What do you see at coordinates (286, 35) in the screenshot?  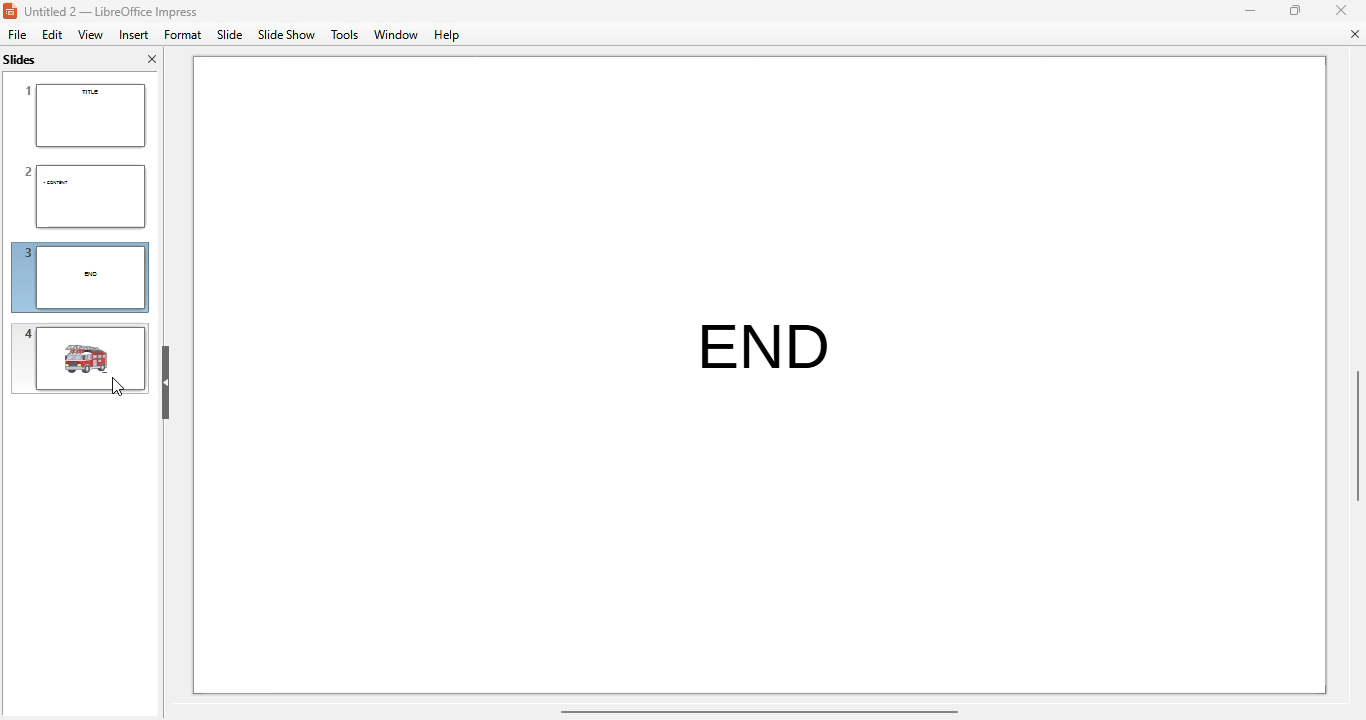 I see `slide show` at bounding box center [286, 35].